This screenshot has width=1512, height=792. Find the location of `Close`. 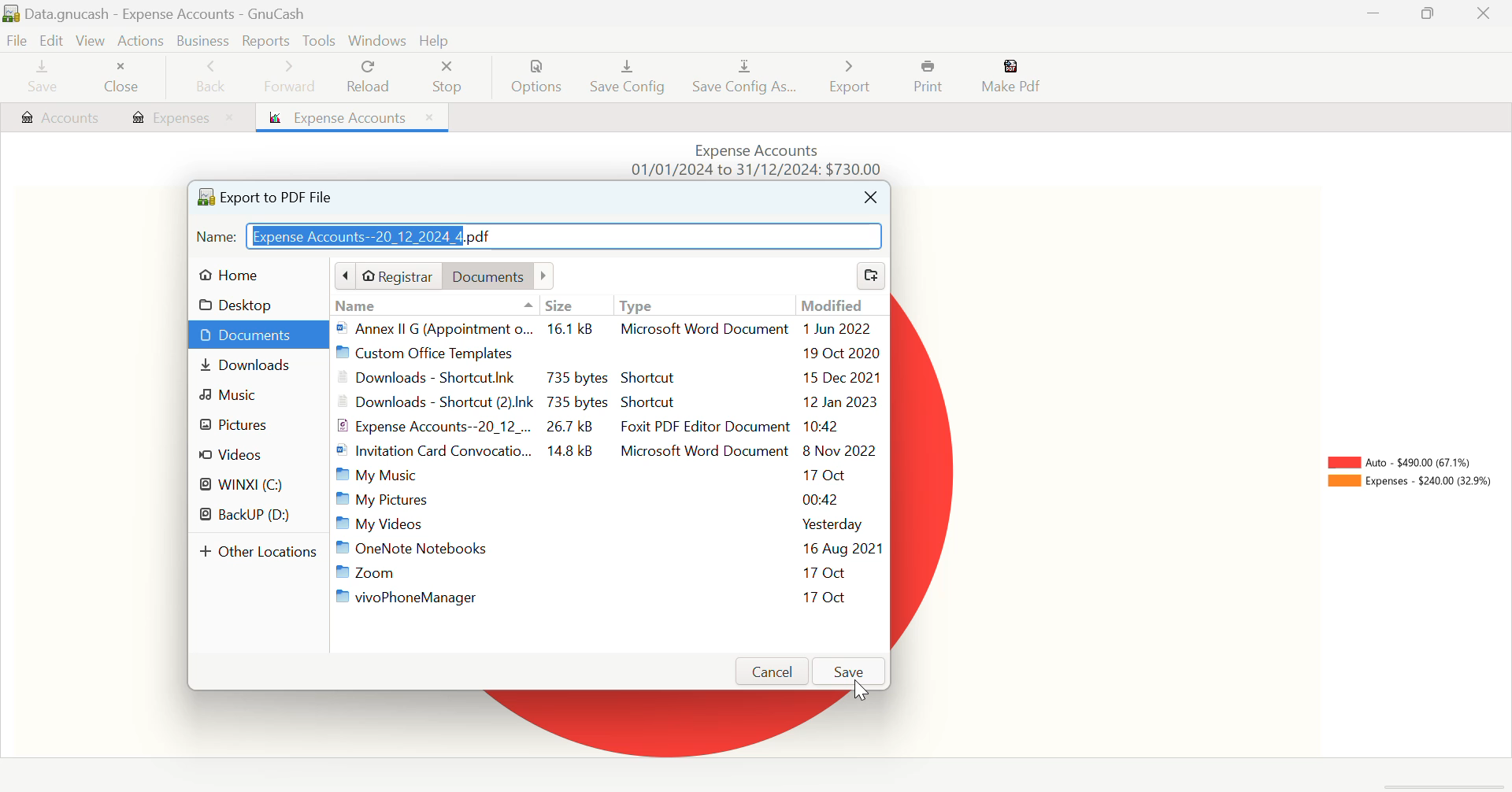

Close is located at coordinates (124, 79).